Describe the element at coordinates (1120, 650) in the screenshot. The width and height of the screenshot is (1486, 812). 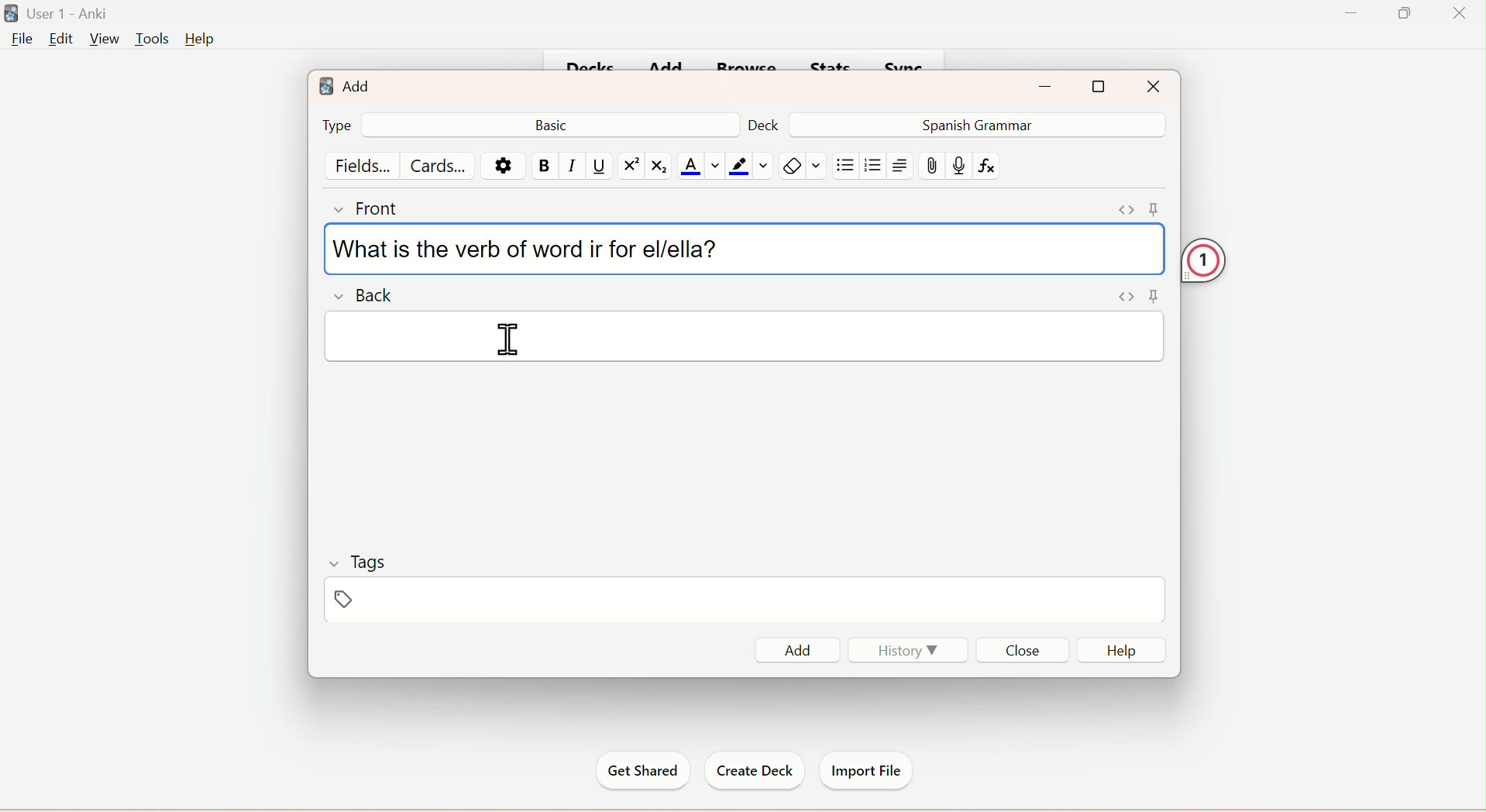
I see `Help` at that location.